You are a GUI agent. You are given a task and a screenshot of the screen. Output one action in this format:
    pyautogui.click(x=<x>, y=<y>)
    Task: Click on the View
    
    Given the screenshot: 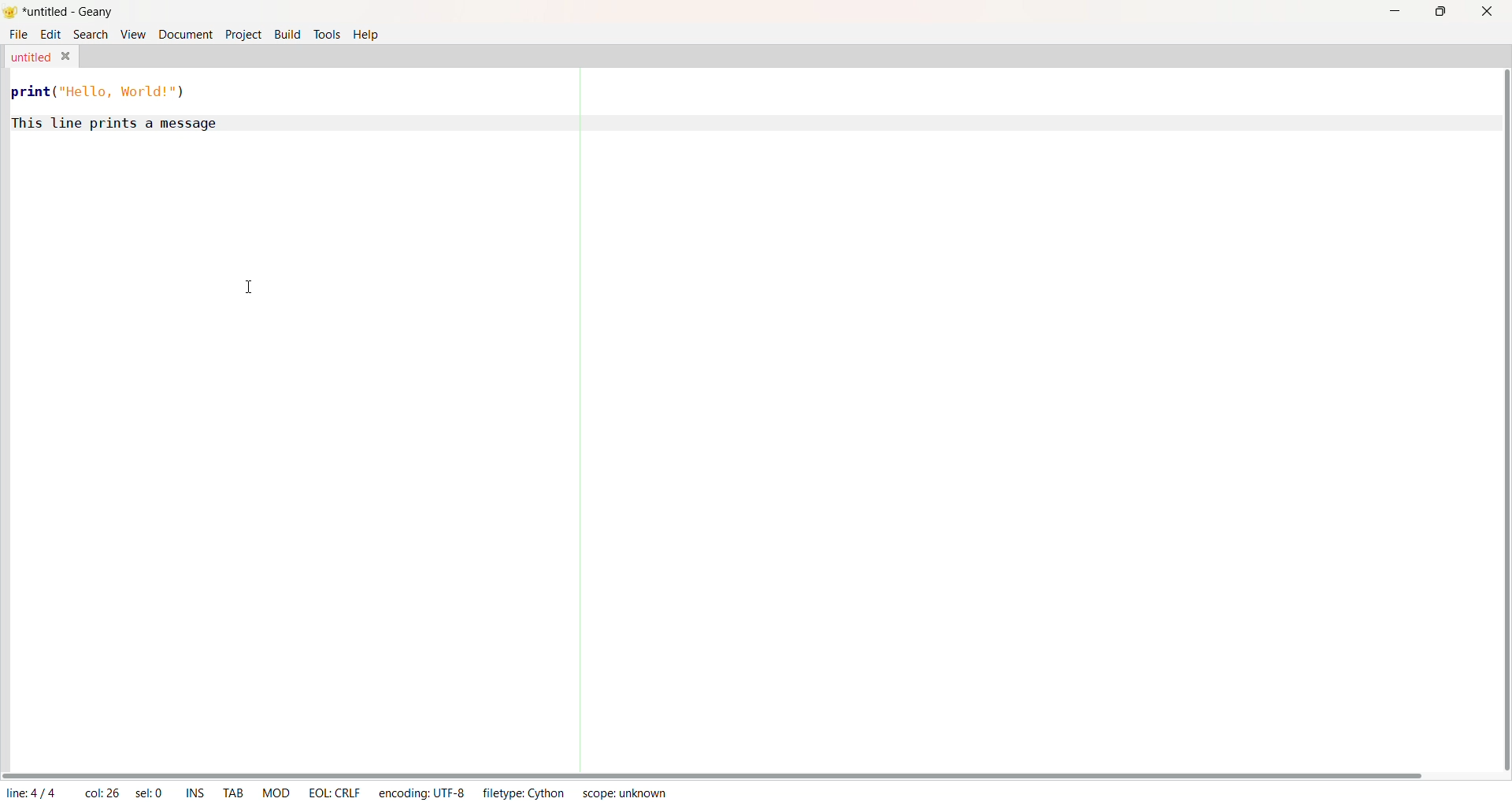 What is the action you would take?
    pyautogui.click(x=131, y=34)
    